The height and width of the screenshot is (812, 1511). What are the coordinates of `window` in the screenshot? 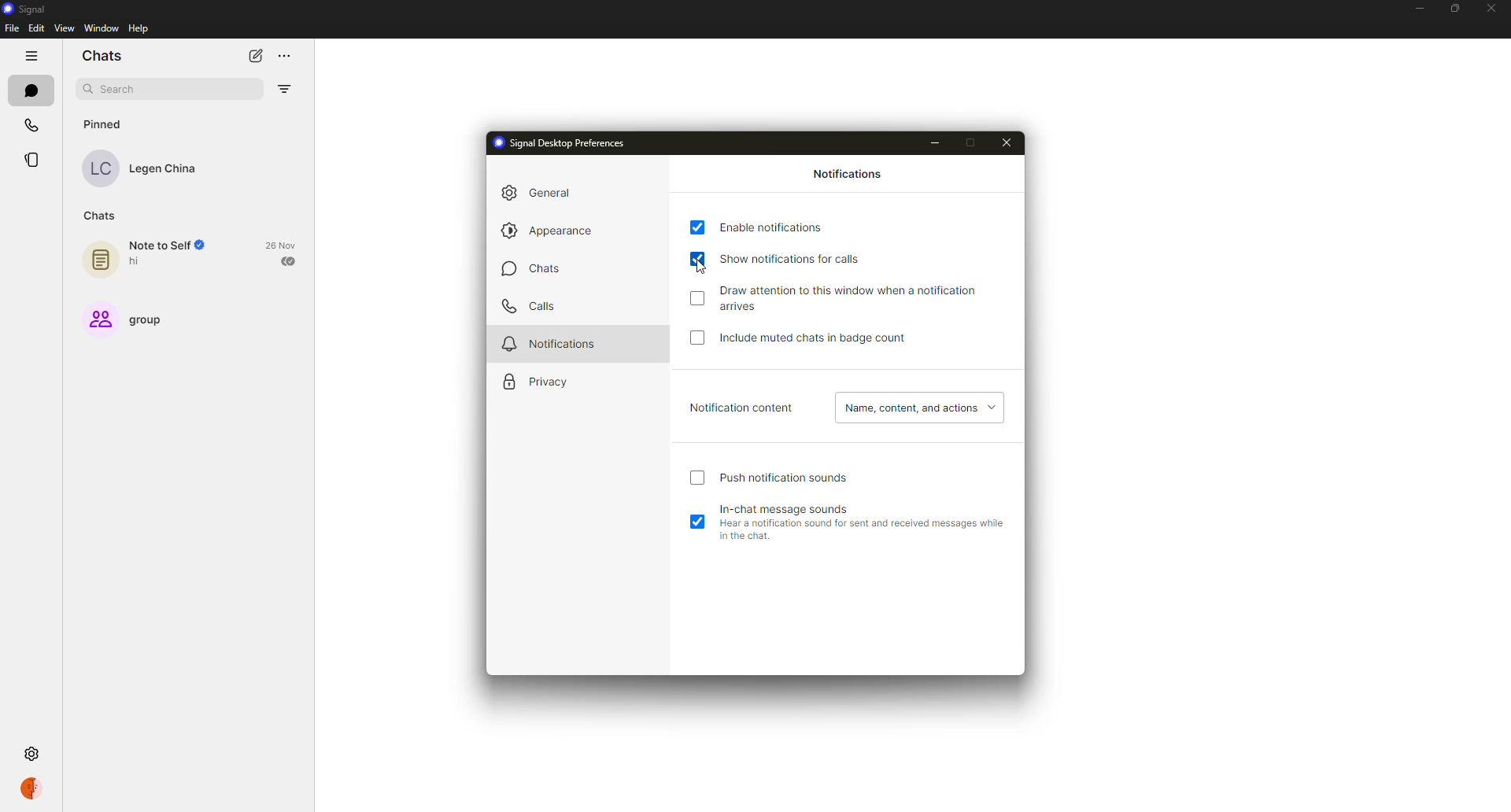 It's located at (99, 29).